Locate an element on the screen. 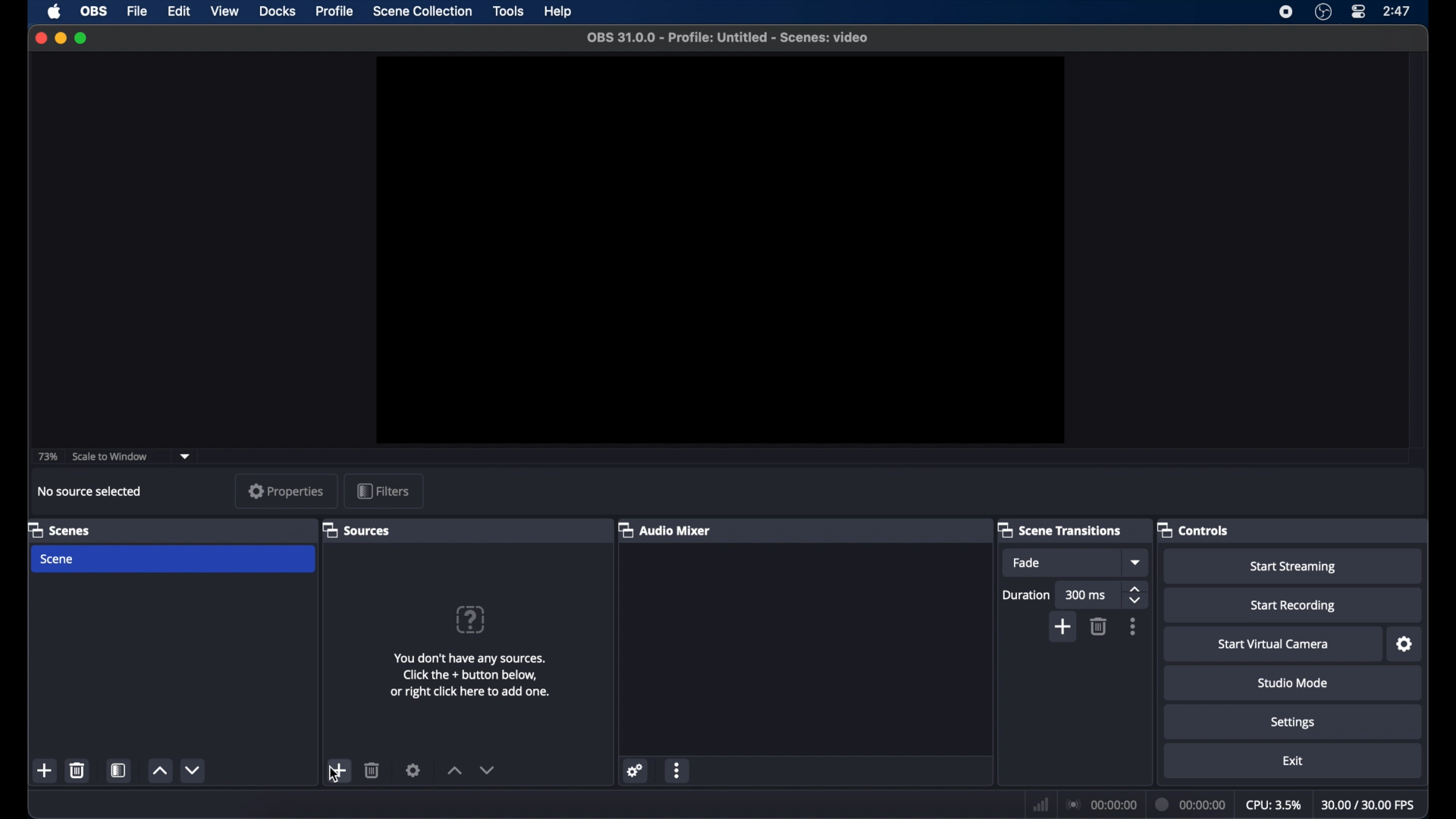  no source selected is located at coordinates (89, 491).